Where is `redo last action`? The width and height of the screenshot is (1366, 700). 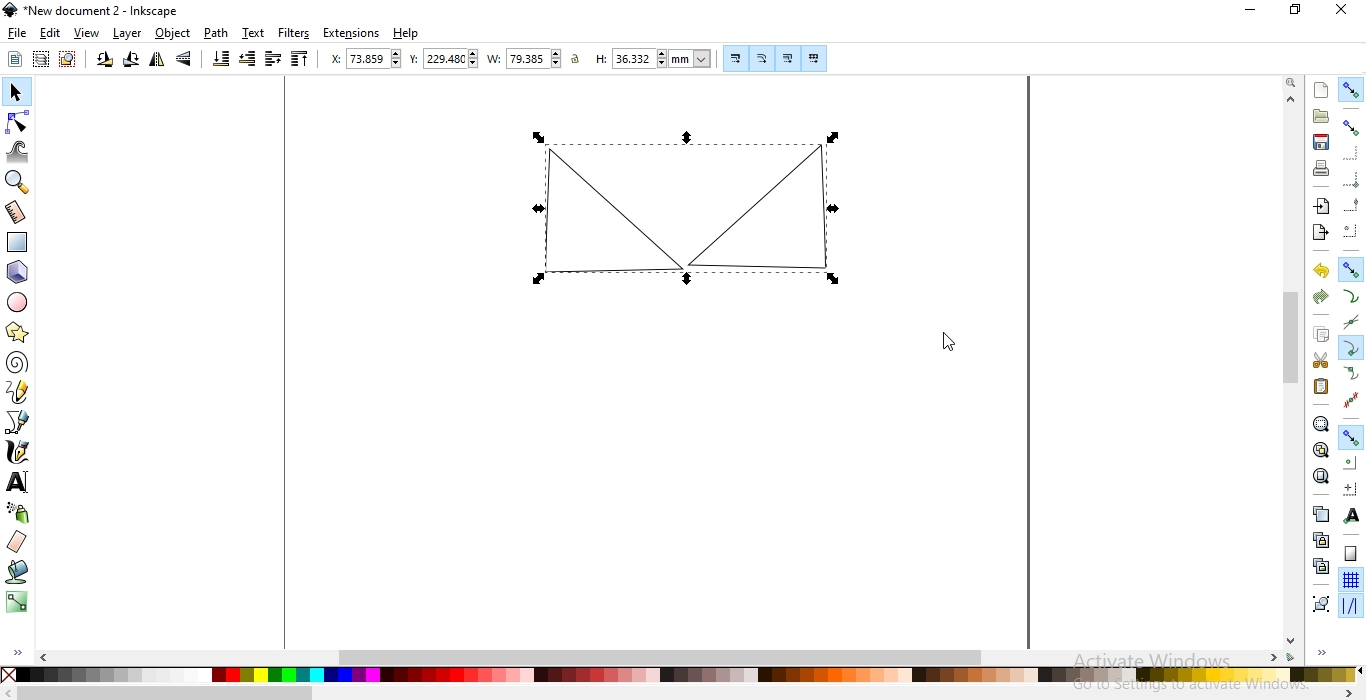 redo last action is located at coordinates (1320, 298).